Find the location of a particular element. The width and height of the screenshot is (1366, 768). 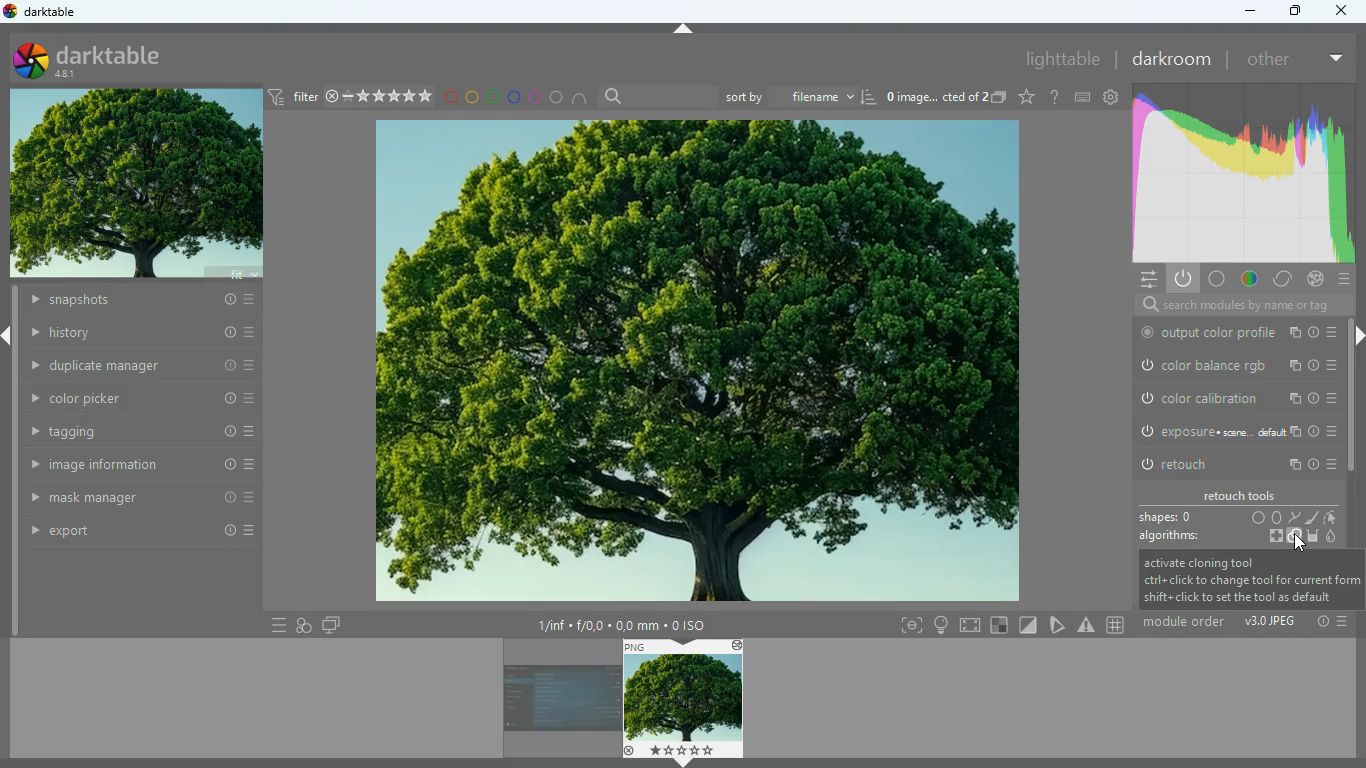

image is located at coordinates (683, 699).